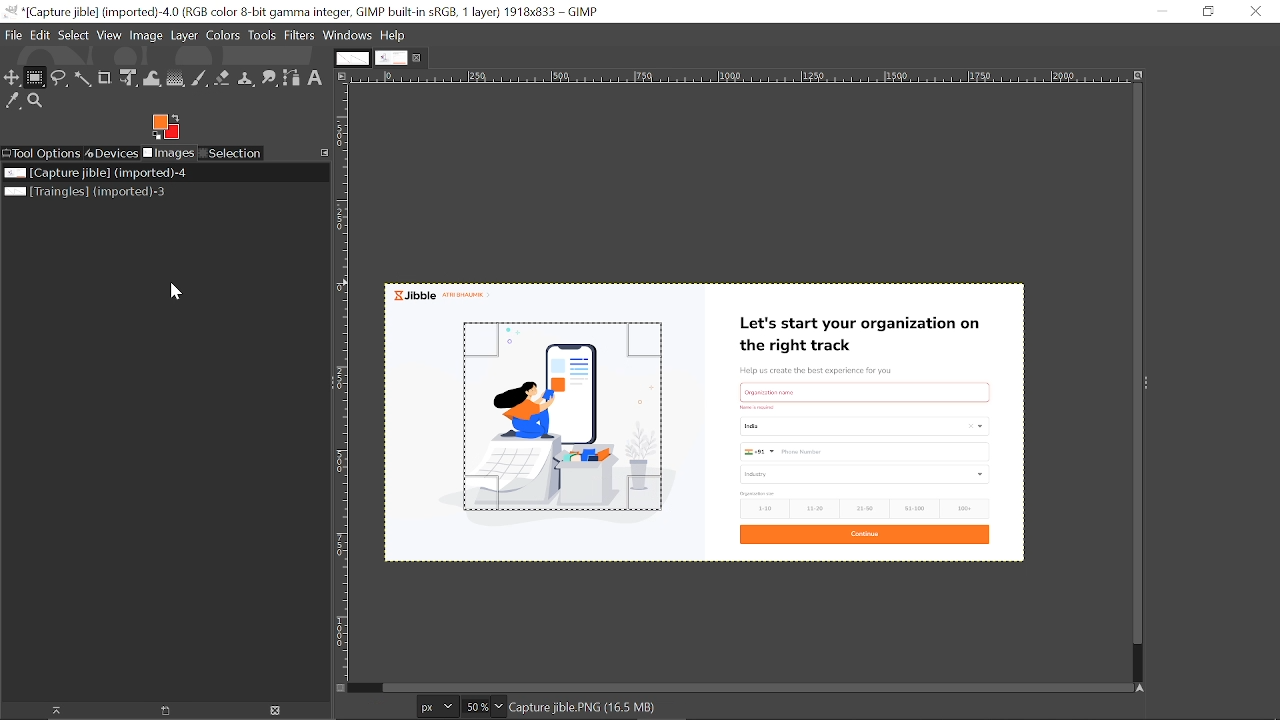  What do you see at coordinates (58, 711) in the screenshot?
I see `Raise this image's display` at bounding box center [58, 711].